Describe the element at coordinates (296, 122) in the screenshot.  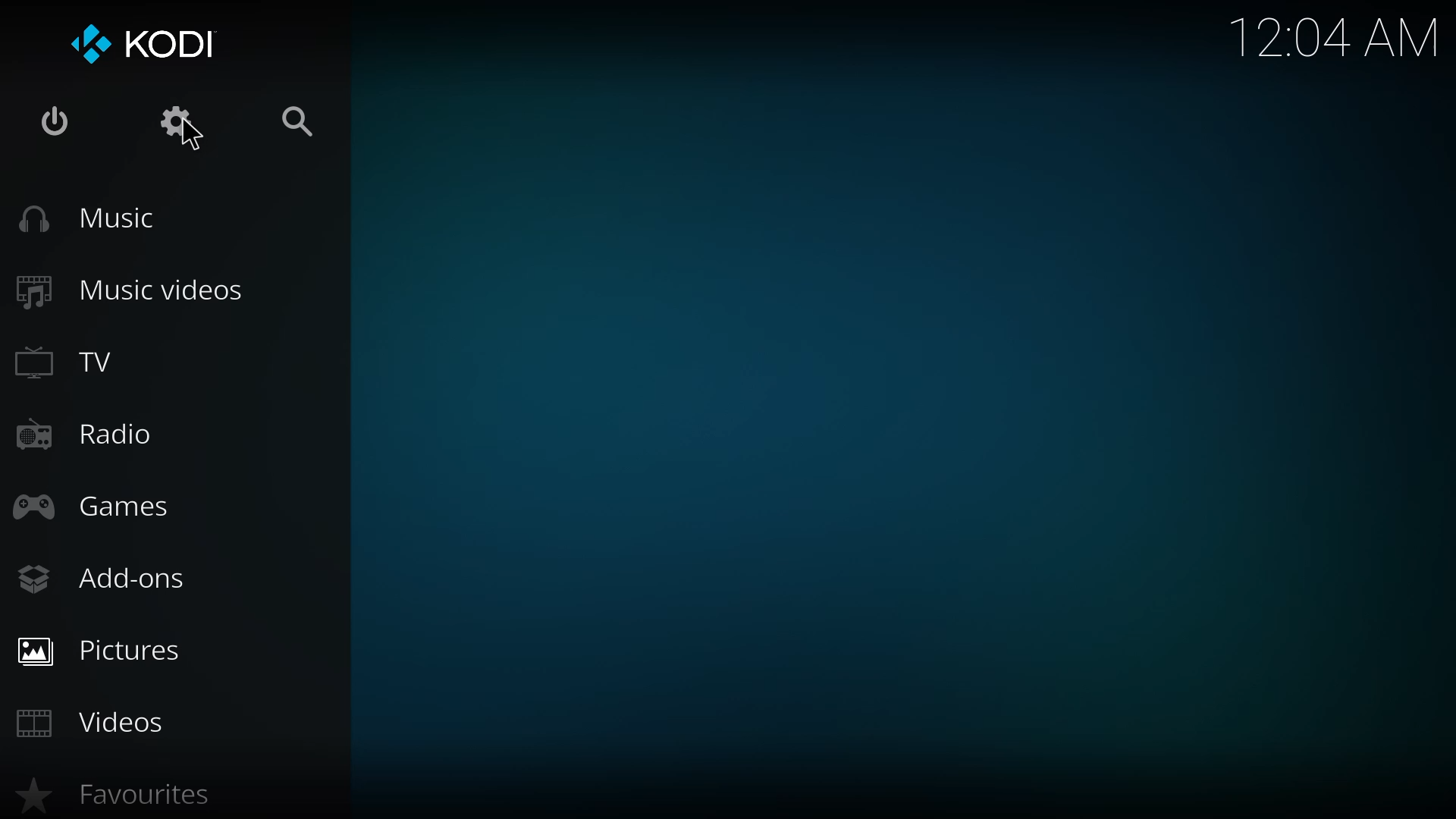
I see `search` at that location.